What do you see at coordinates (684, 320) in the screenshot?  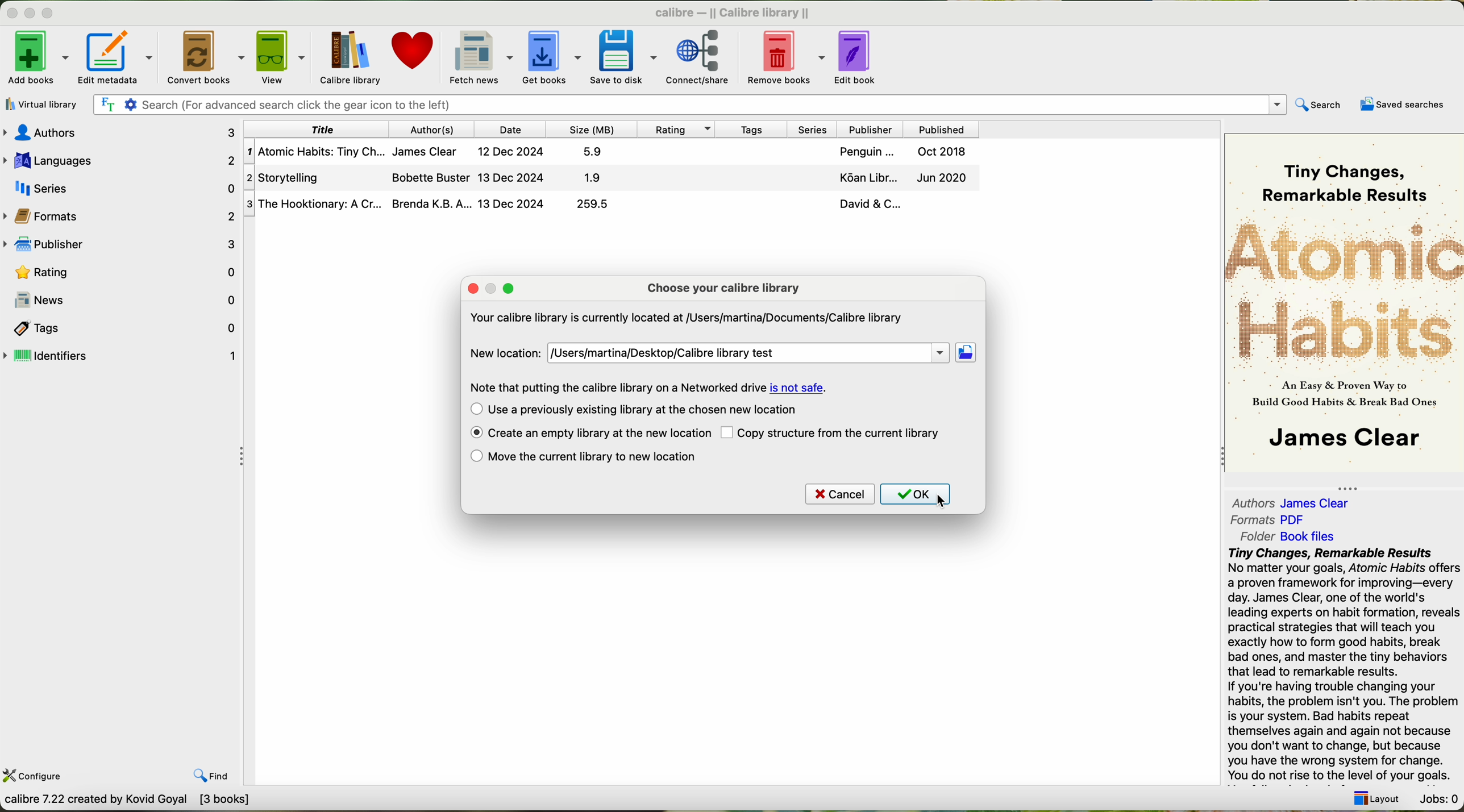 I see `‘Your calibre library Is currently located at /Users/martina/Documents/Calibre library` at bounding box center [684, 320].